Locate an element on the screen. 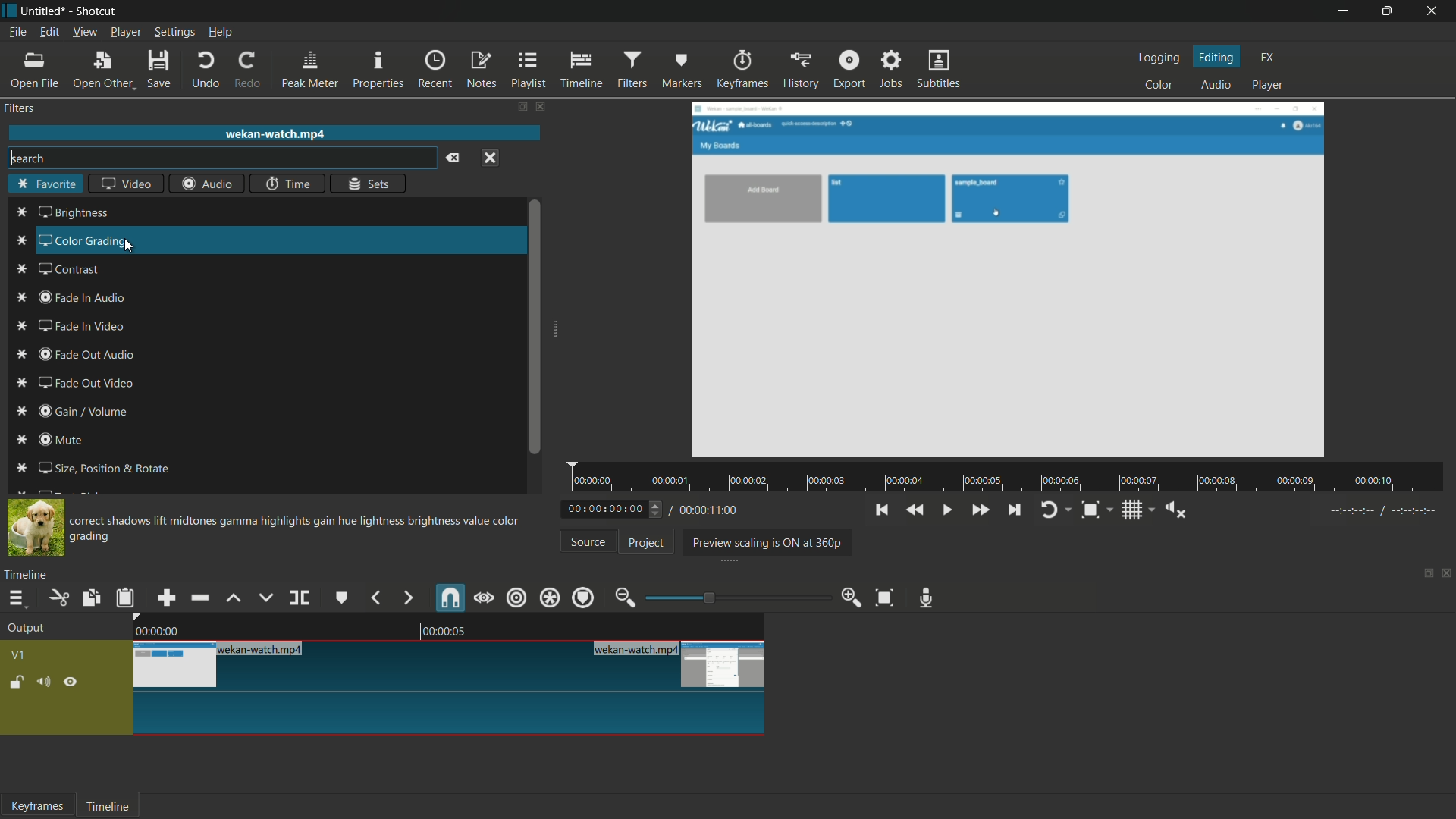 This screenshot has height=819, width=1456. hide is located at coordinates (72, 684).